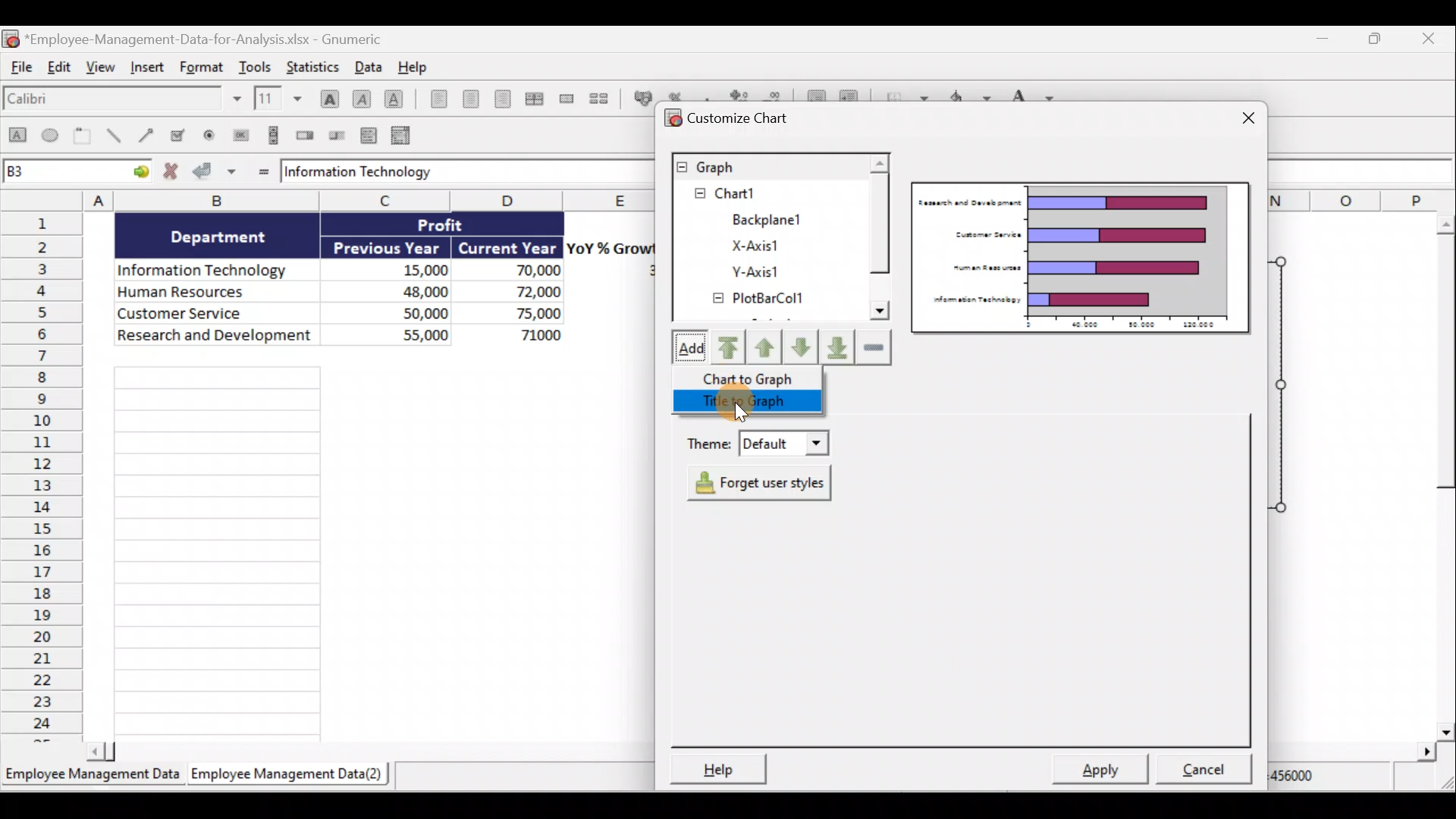 The height and width of the screenshot is (819, 1456). What do you see at coordinates (1322, 39) in the screenshot?
I see `Minimize` at bounding box center [1322, 39].